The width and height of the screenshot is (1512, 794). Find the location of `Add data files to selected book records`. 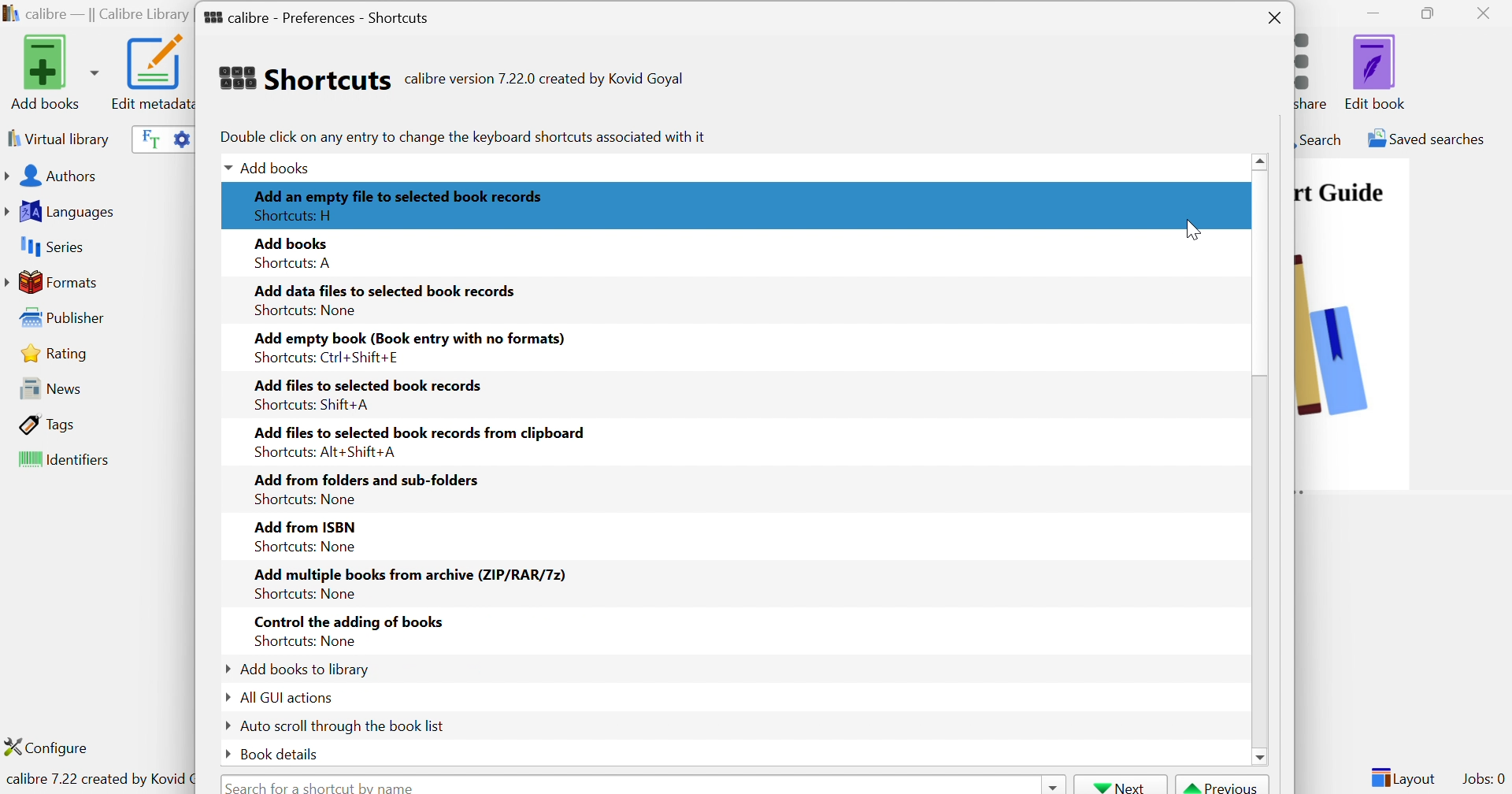

Add data files to selected book records is located at coordinates (388, 291).